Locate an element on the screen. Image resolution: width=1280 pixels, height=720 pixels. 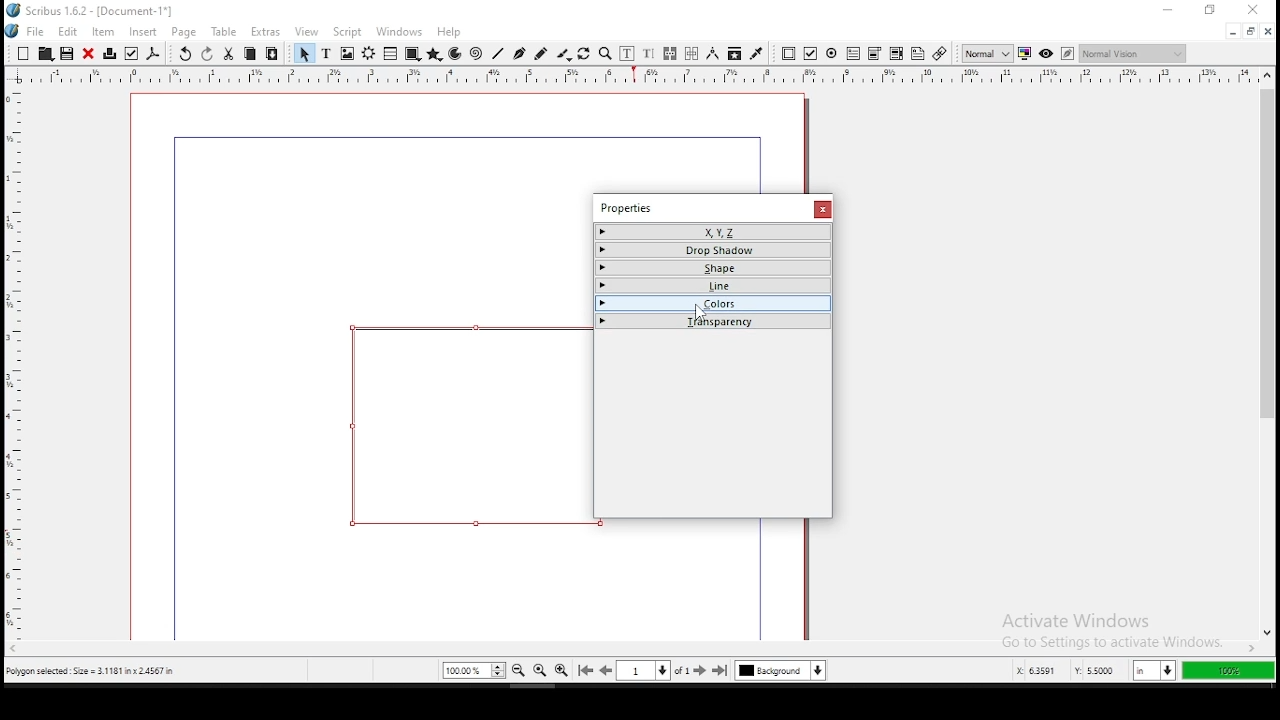
colors is located at coordinates (715, 302).